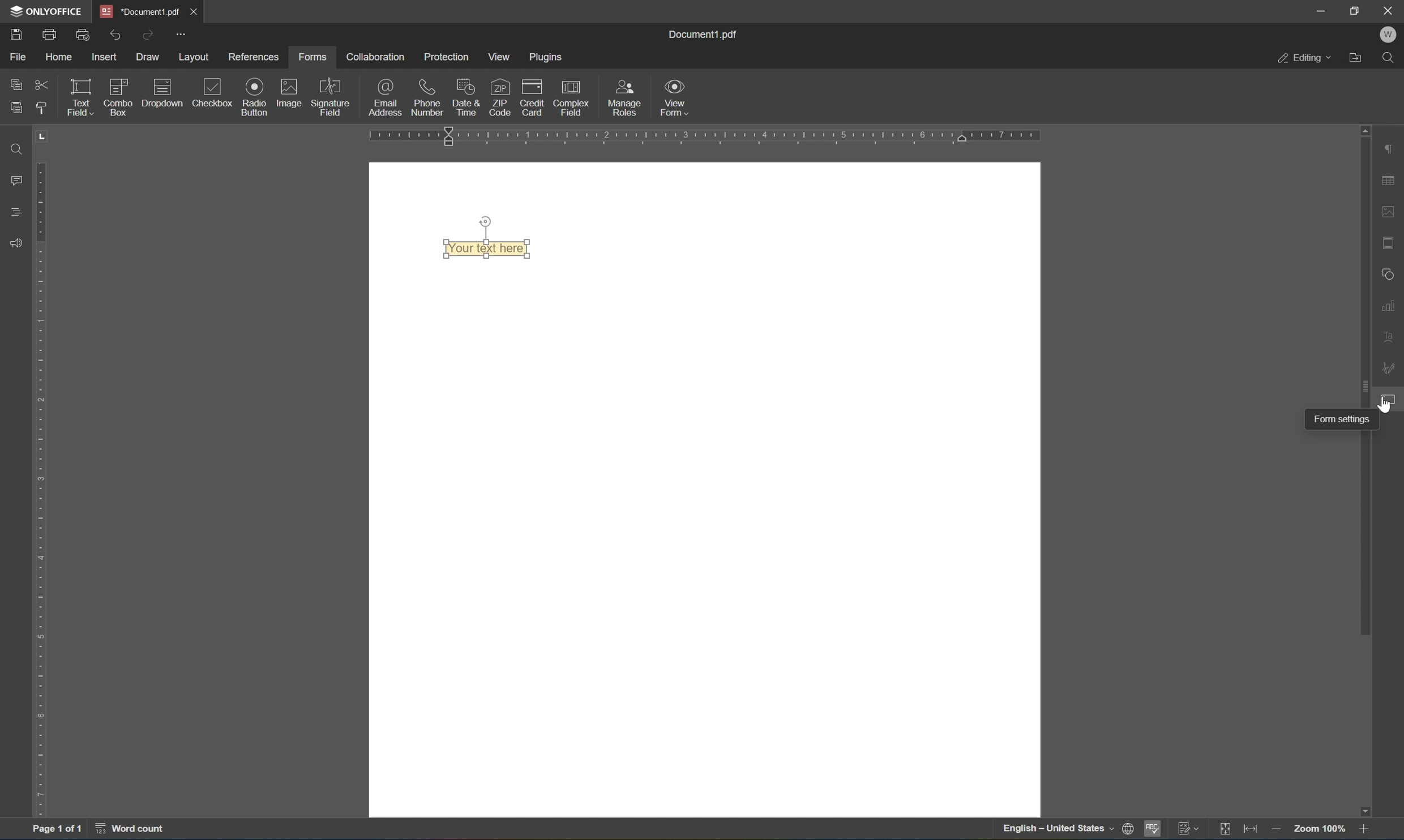 The image size is (1404, 840). What do you see at coordinates (118, 97) in the screenshot?
I see `combo box` at bounding box center [118, 97].